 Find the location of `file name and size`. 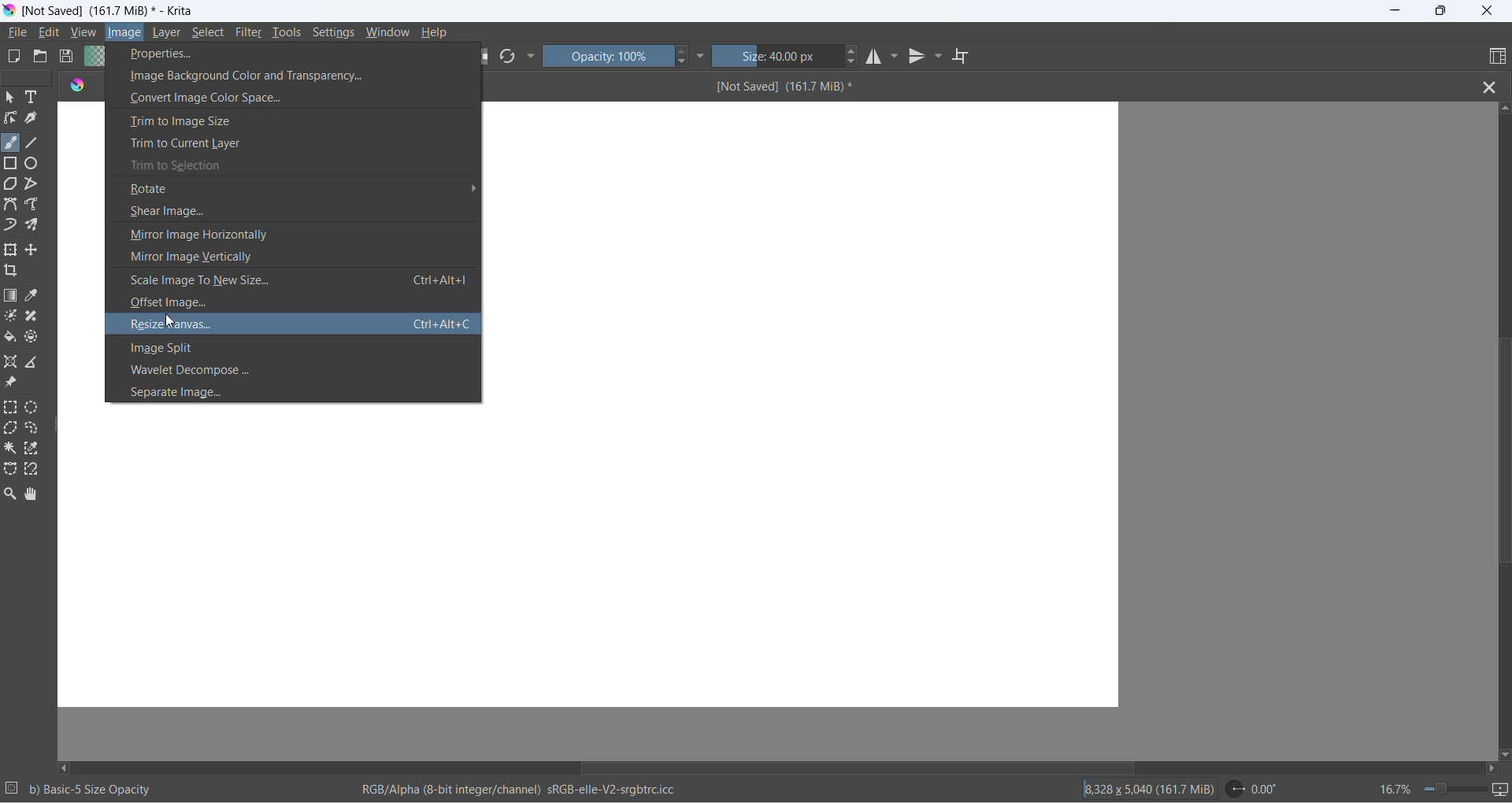

file name and size is located at coordinates (978, 86).